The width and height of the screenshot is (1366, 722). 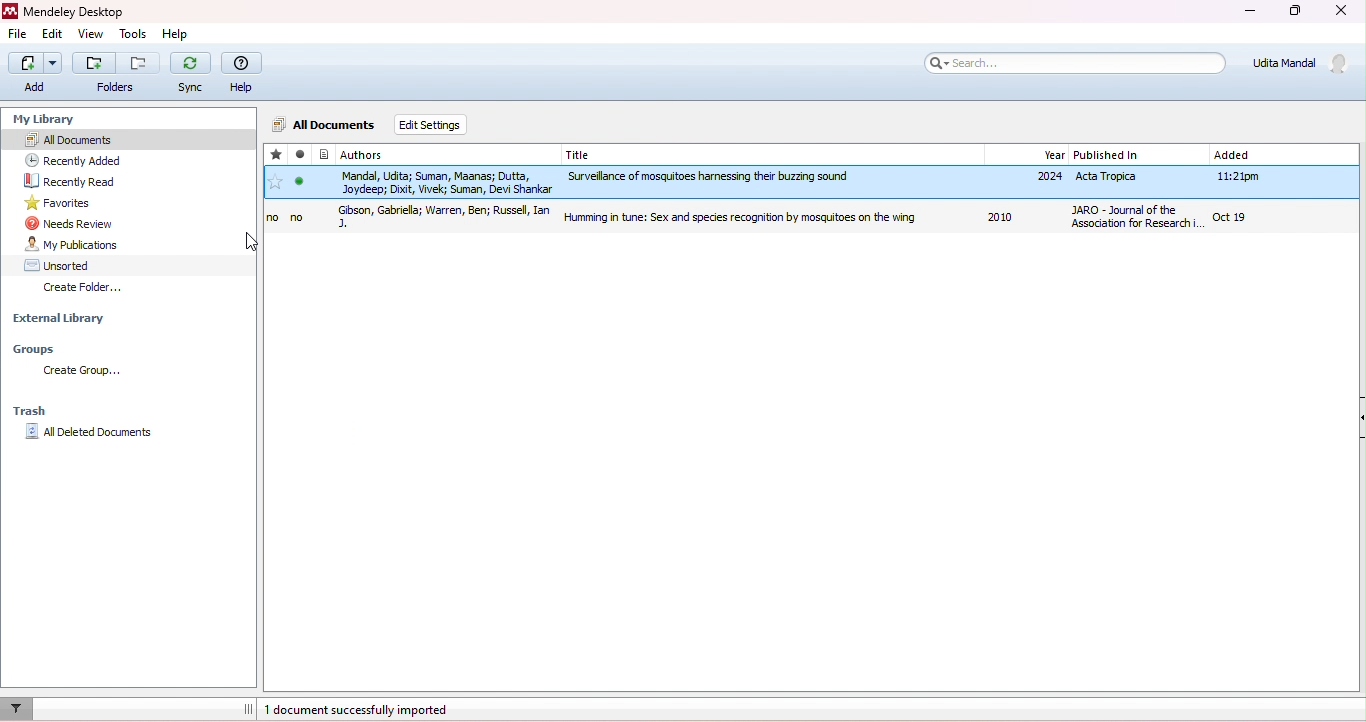 What do you see at coordinates (278, 155) in the screenshot?
I see `favorite` at bounding box center [278, 155].